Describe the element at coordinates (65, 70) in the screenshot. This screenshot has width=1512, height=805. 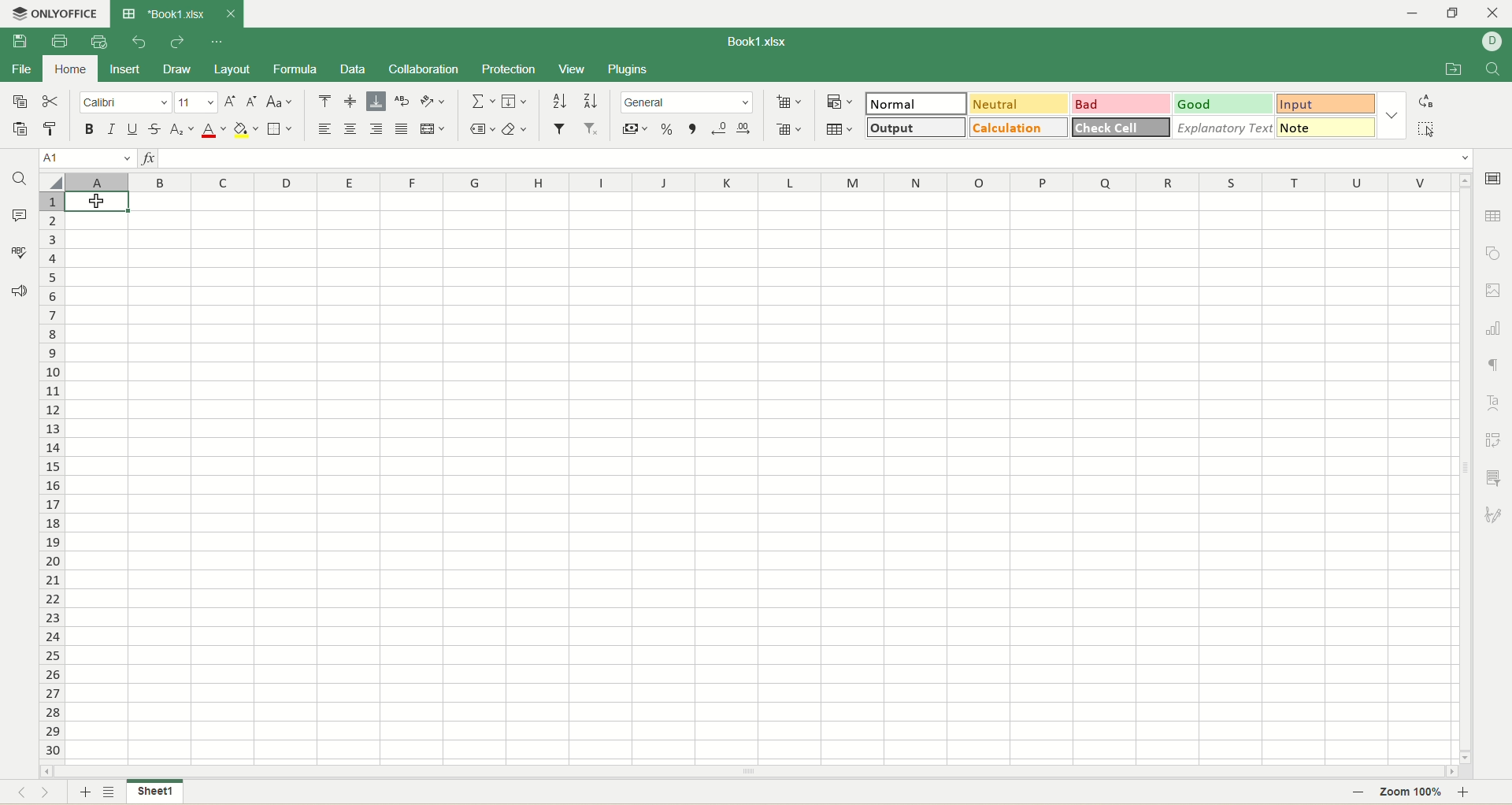
I see `home` at that location.